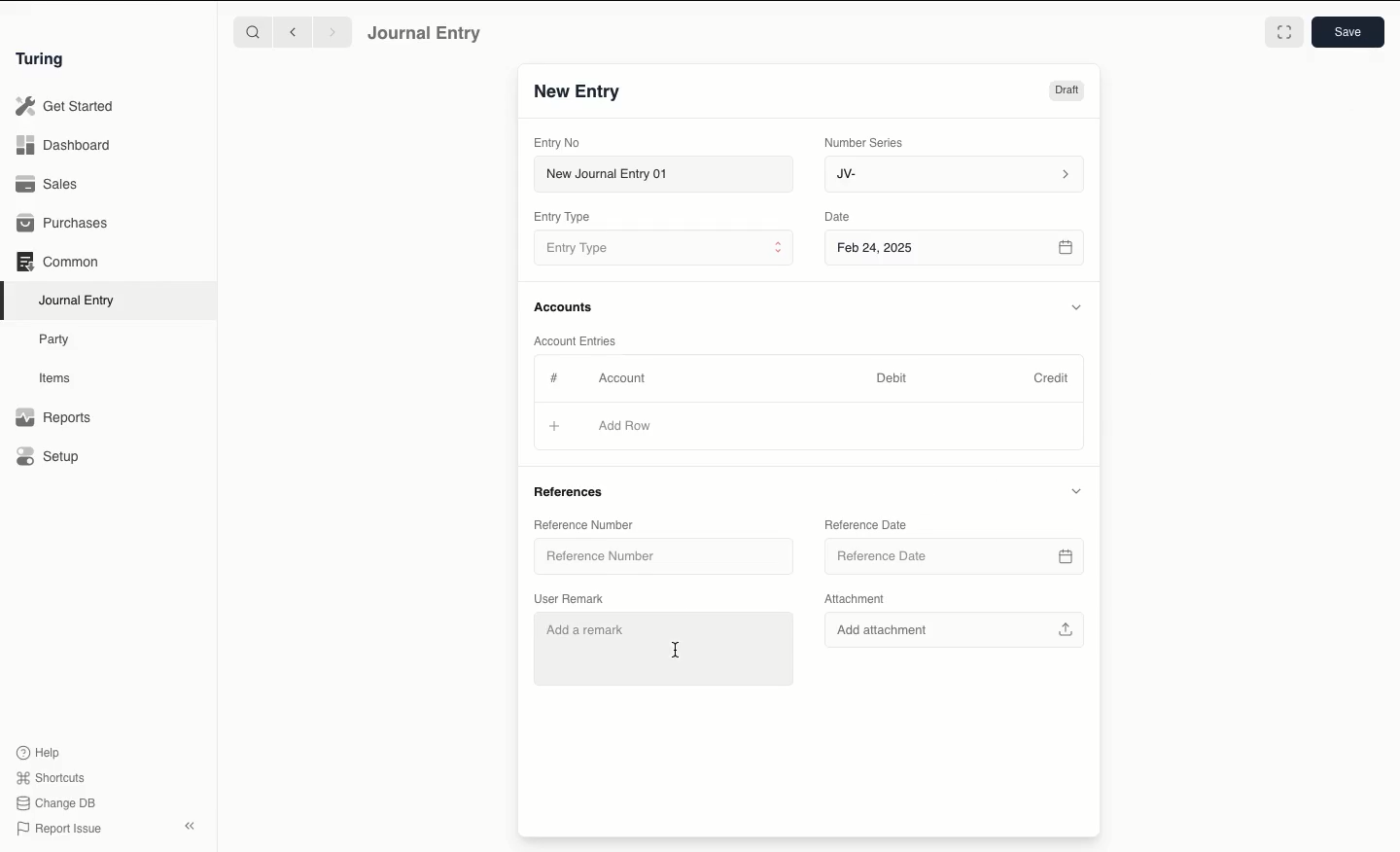  What do you see at coordinates (562, 217) in the screenshot?
I see `Entry Type` at bounding box center [562, 217].